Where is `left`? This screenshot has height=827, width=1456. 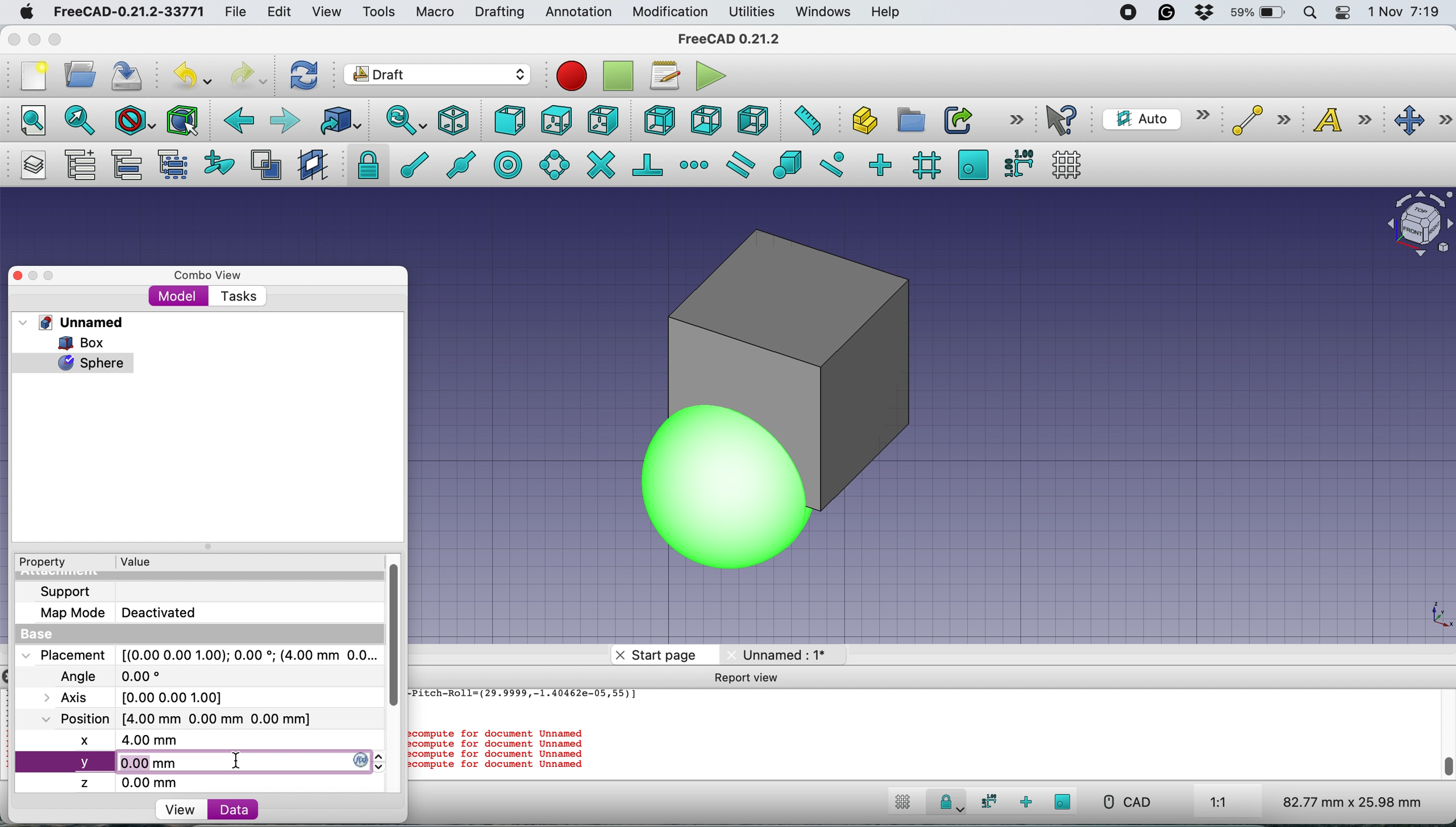 left is located at coordinates (752, 120).